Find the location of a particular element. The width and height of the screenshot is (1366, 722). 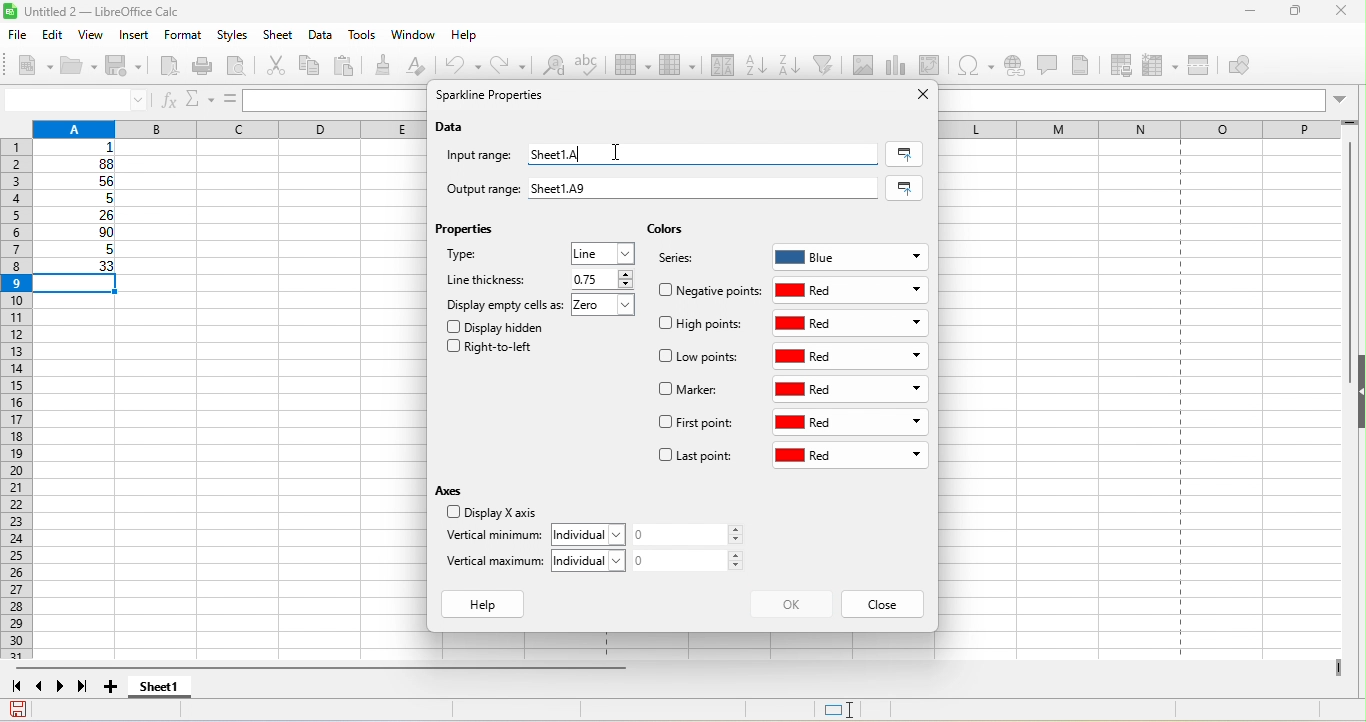

formula is located at coordinates (228, 99).